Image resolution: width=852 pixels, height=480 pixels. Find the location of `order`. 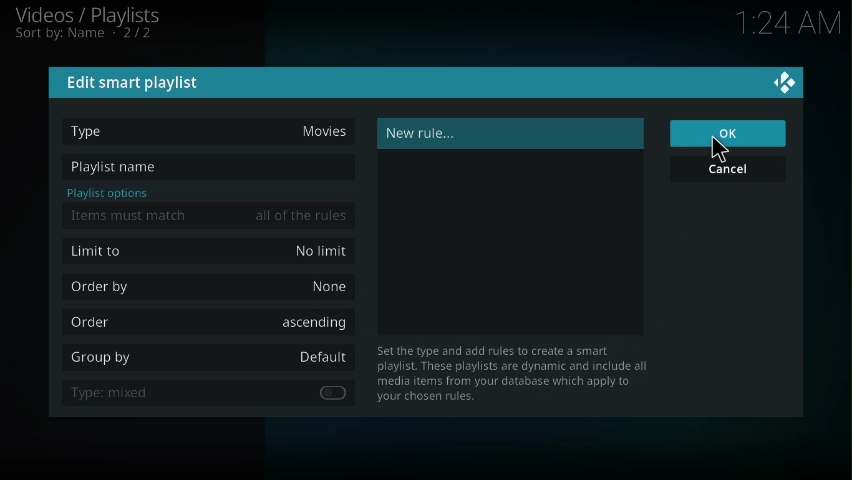

order is located at coordinates (96, 322).